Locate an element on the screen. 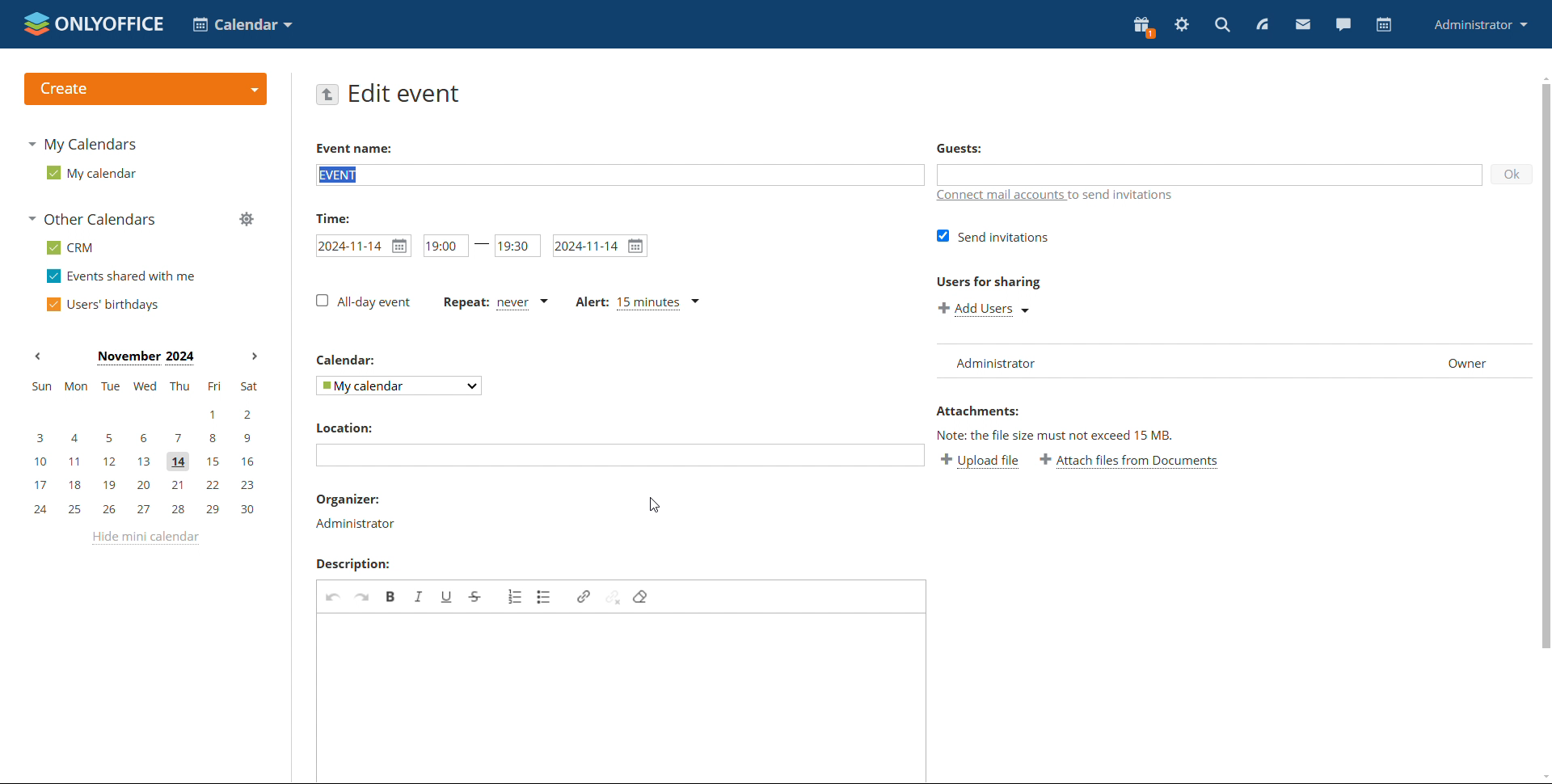 The image size is (1552, 784). insert/remove numbered list is located at coordinates (511, 596).